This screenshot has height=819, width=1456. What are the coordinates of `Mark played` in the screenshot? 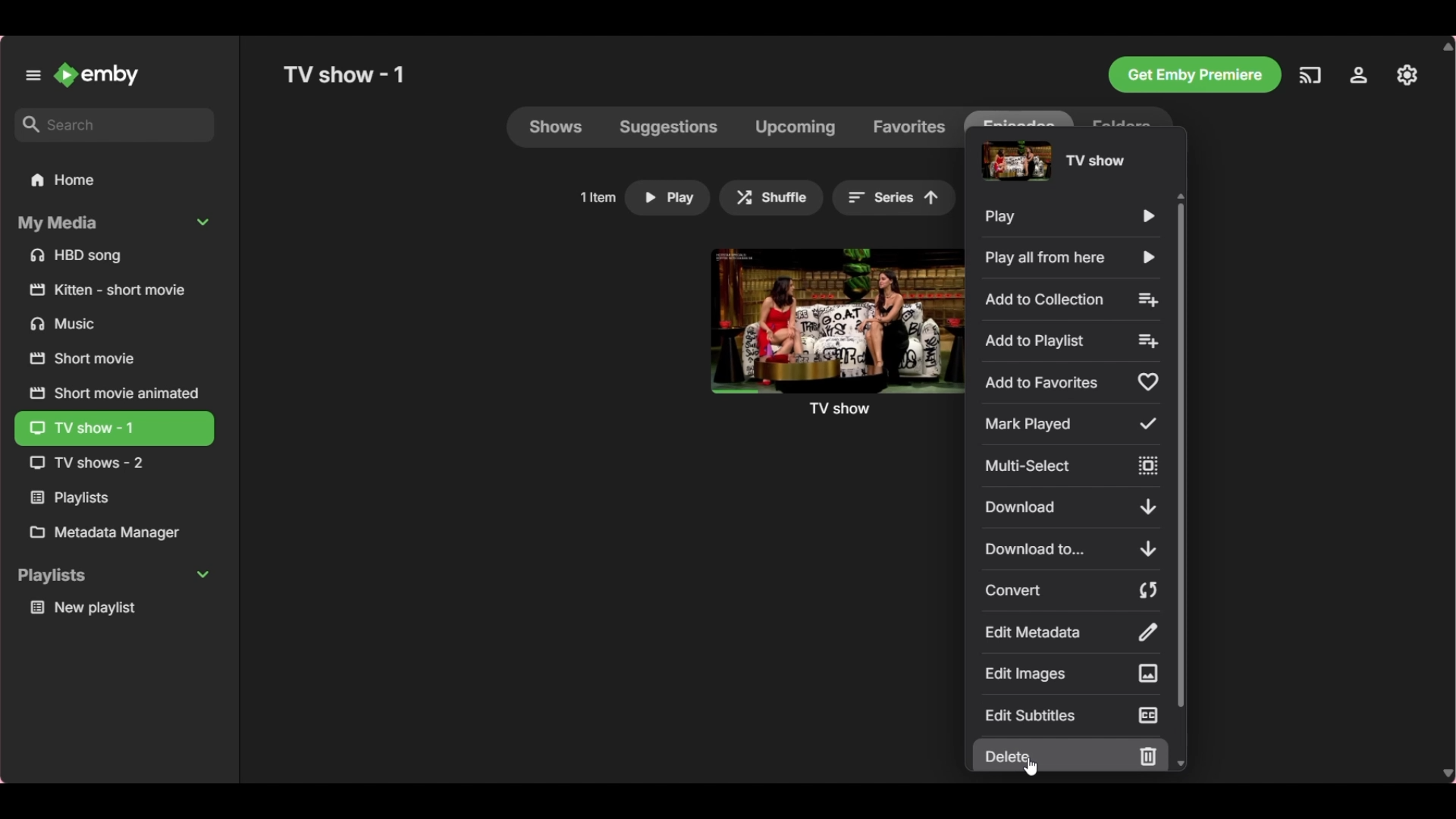 It's located at (1072, 423).